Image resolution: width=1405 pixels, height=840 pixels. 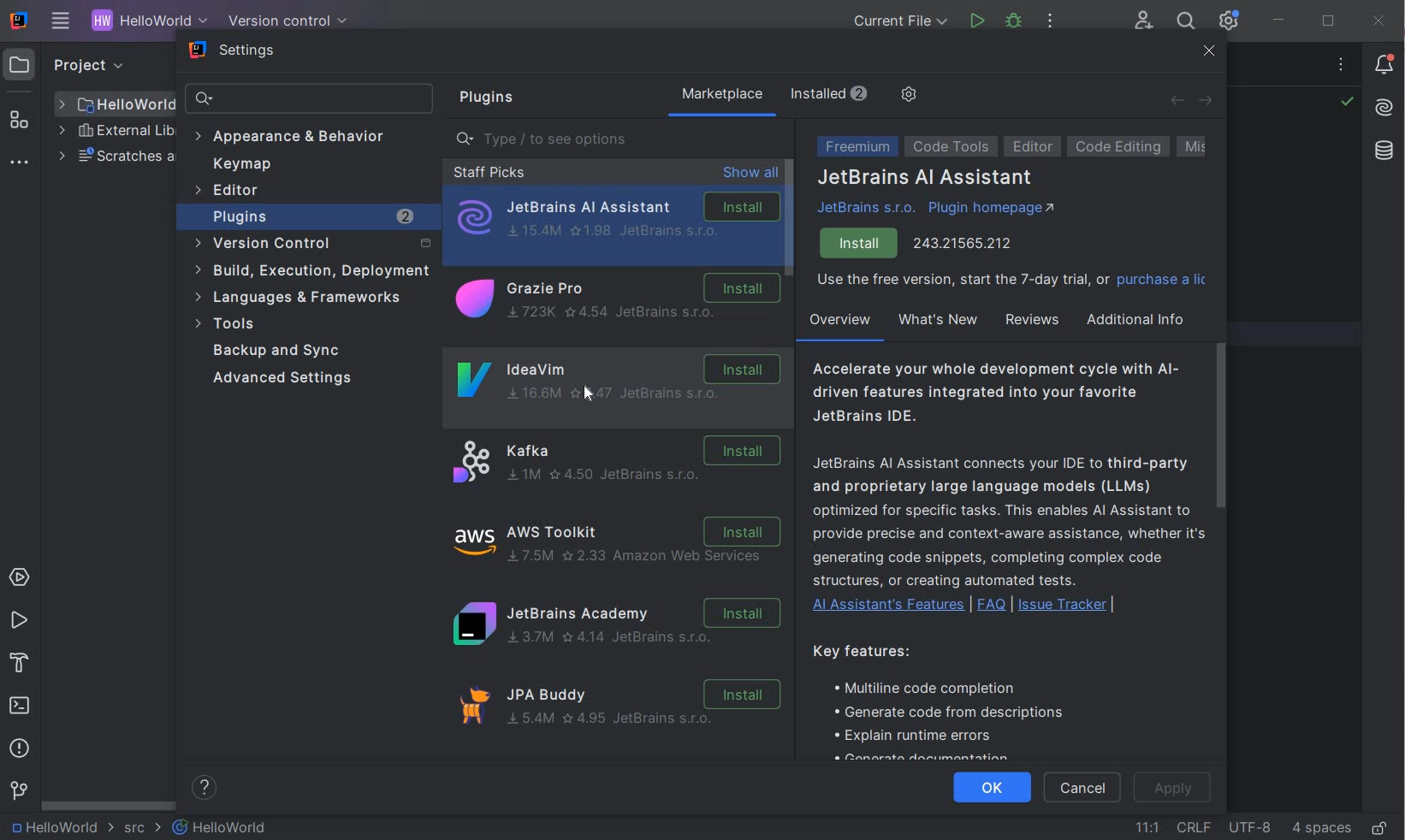 I want to click on JetBrains s.r.o, so click(x=869, y=208).